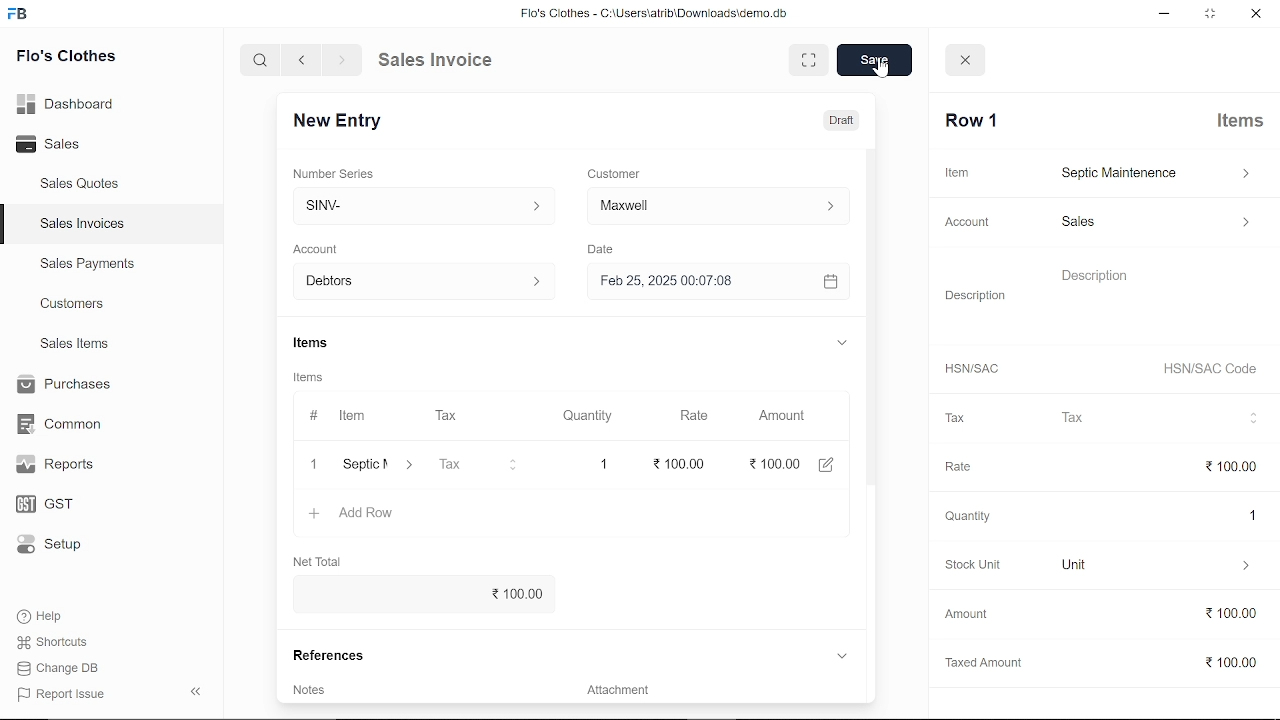 This screenshot has width=1280, height=720. Describe the element at coordinates (42, 616) in the screenshot. I see `Help` at that location.